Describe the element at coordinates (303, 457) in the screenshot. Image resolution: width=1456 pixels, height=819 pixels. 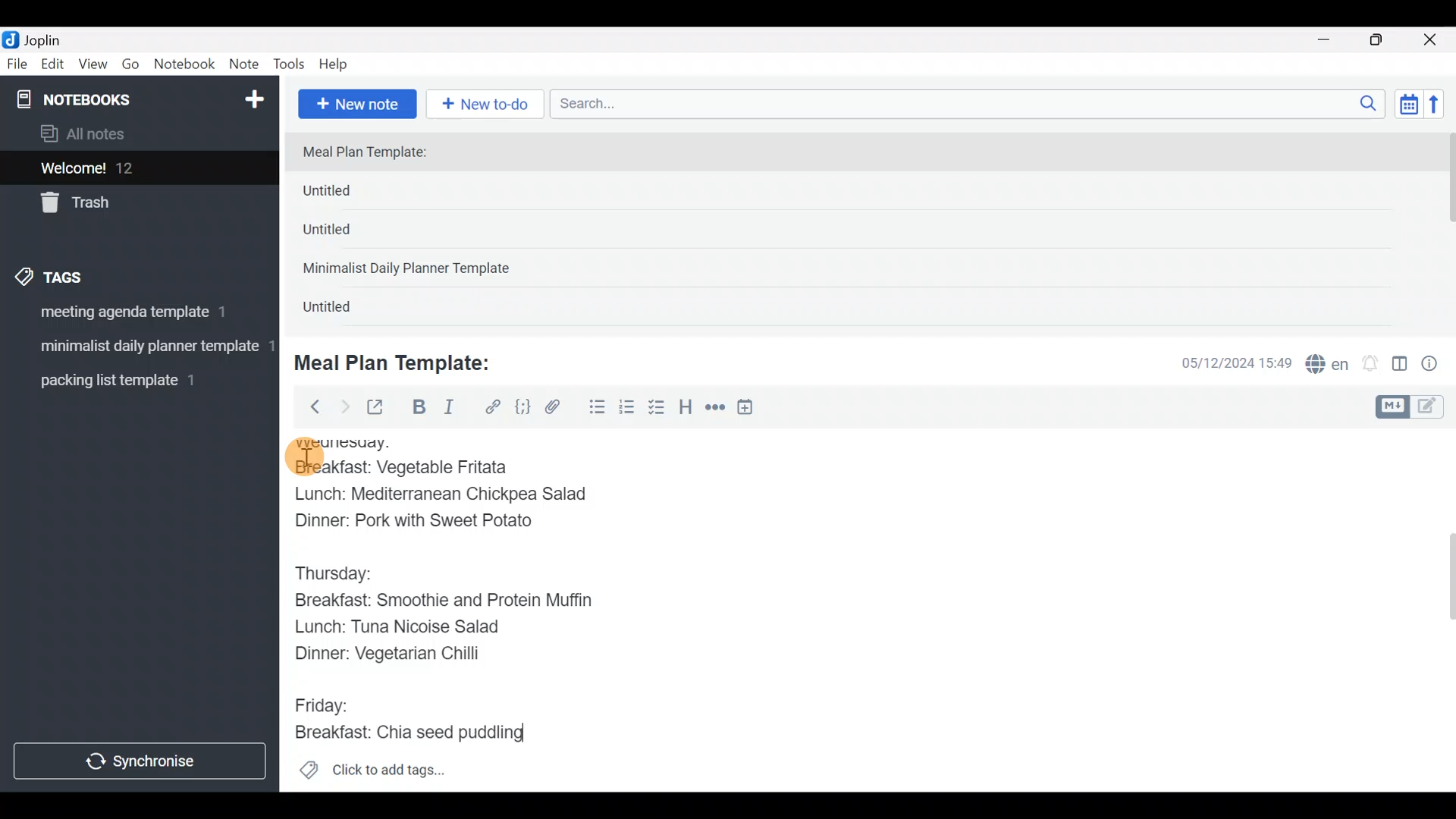
I see `cursor` at that location.